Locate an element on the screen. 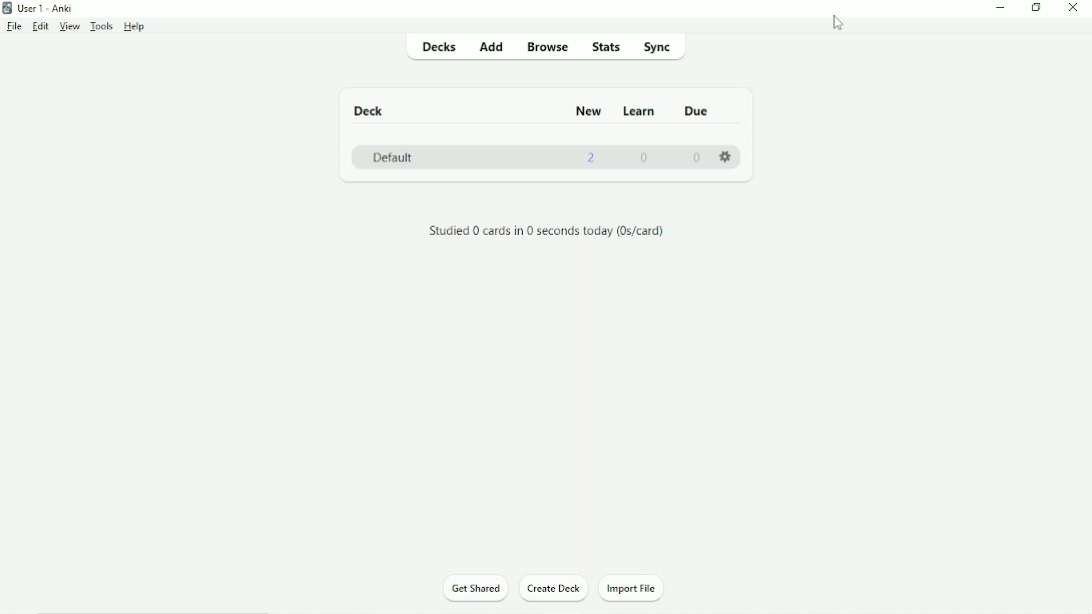 Image resolution: width=1092 pixels, height=614 pixels. Close is located at coordinates (1074, 8).